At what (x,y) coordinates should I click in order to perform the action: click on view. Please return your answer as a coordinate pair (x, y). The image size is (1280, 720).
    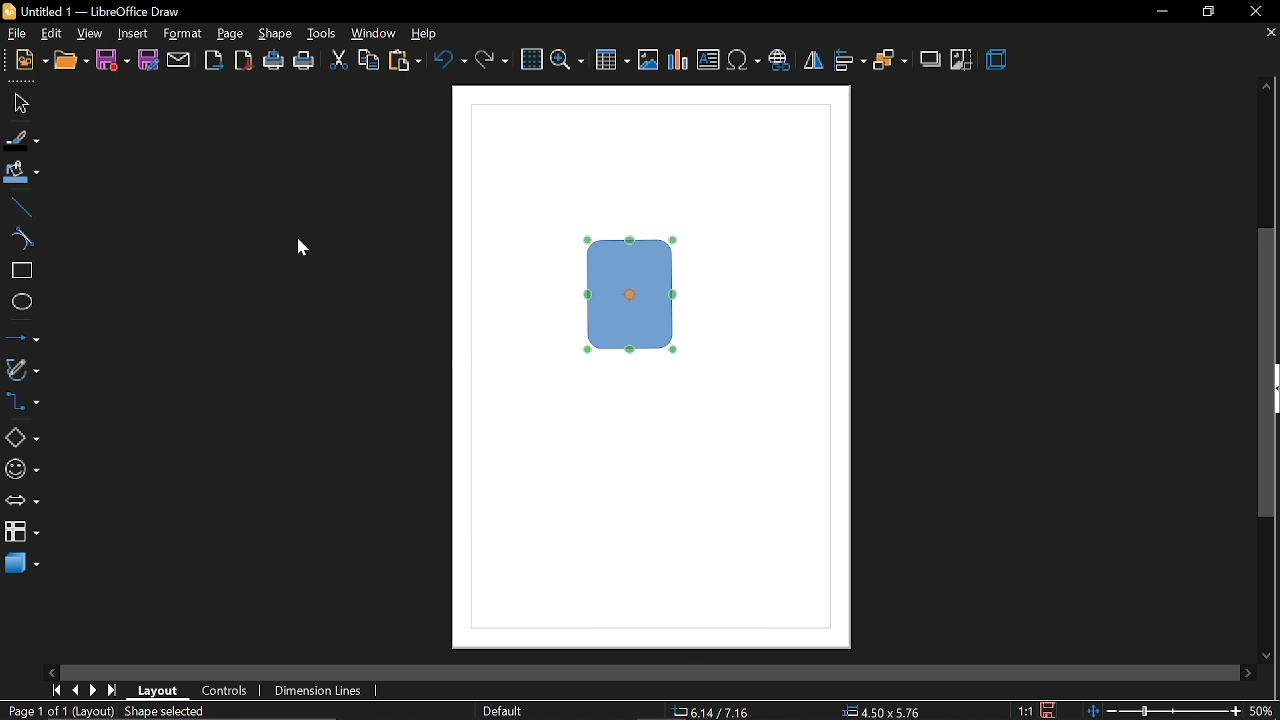
    Looking at the image, I should click on (91, 35).